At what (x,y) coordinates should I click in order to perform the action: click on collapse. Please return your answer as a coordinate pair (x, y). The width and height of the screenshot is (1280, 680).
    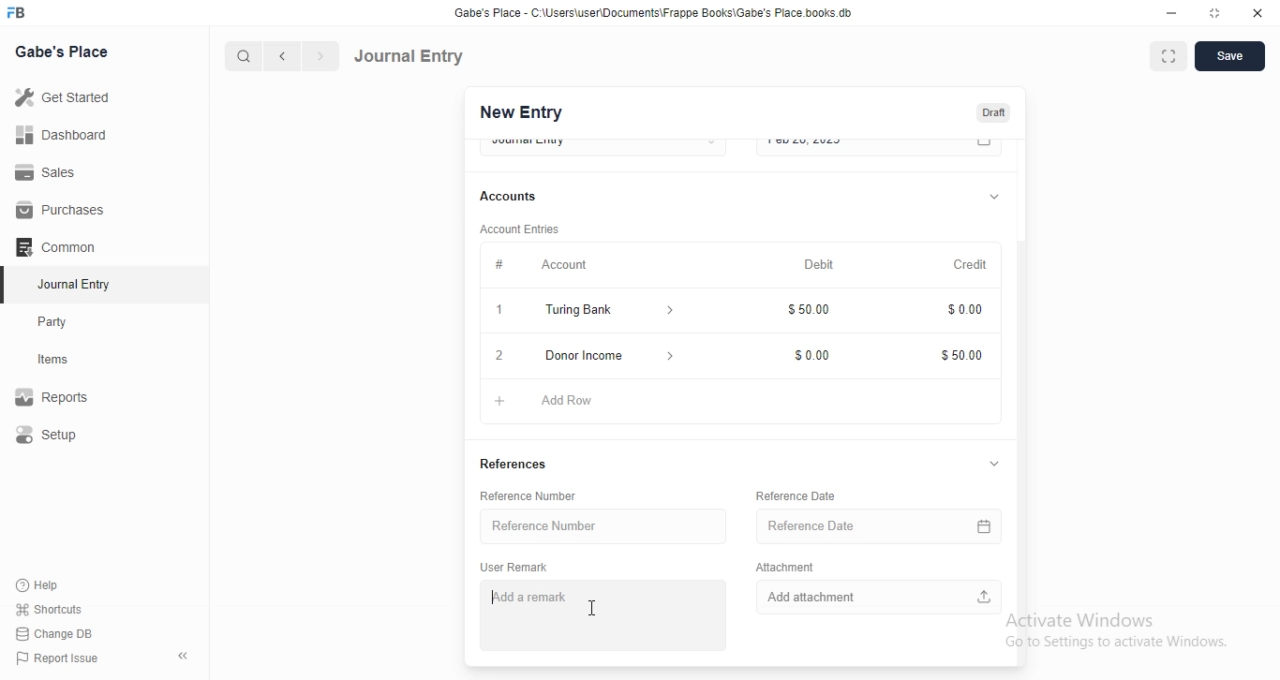
    Looking at the image, I should click on (994, 465).